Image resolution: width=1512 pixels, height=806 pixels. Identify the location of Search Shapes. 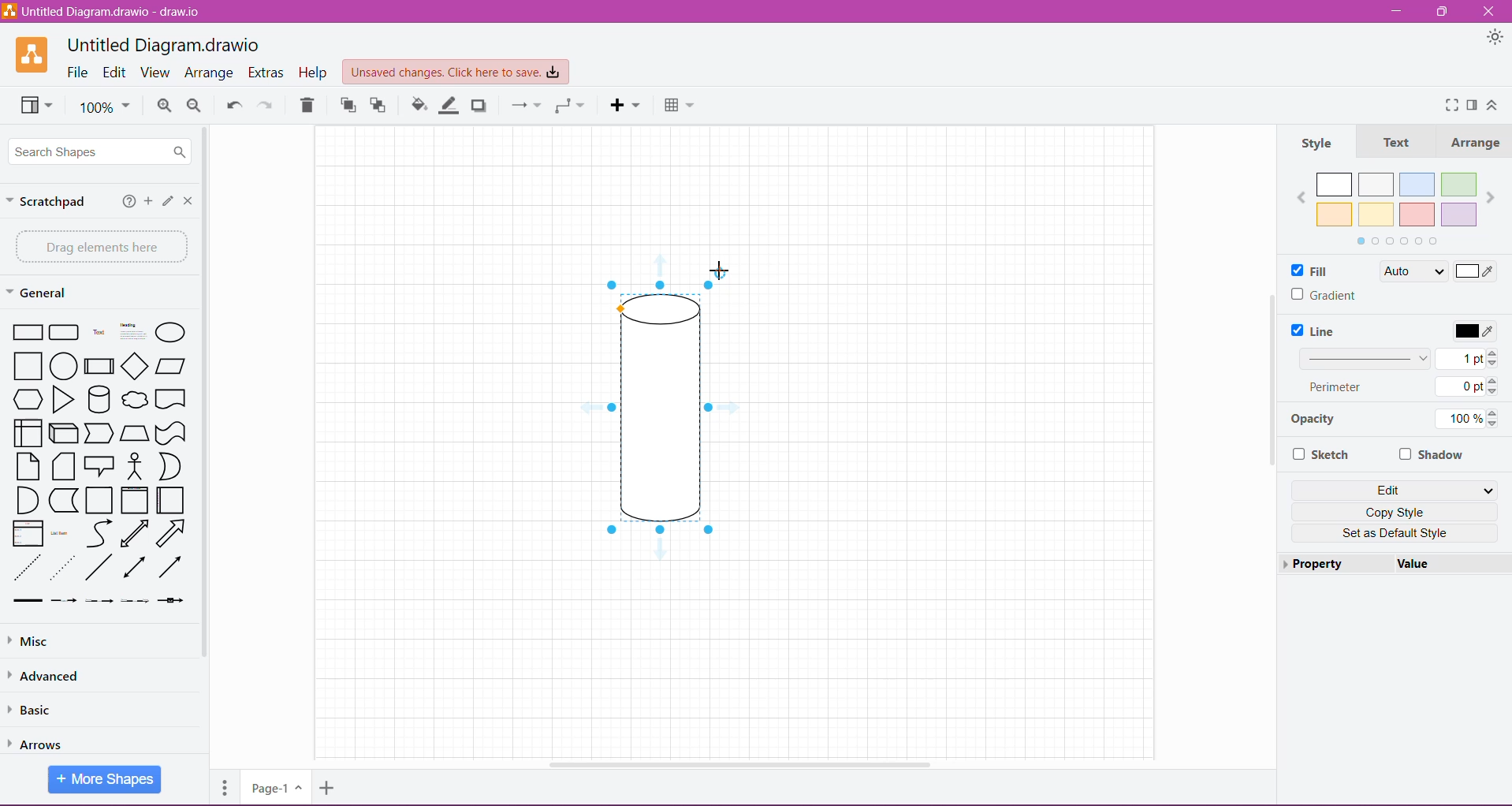
(102, 152).